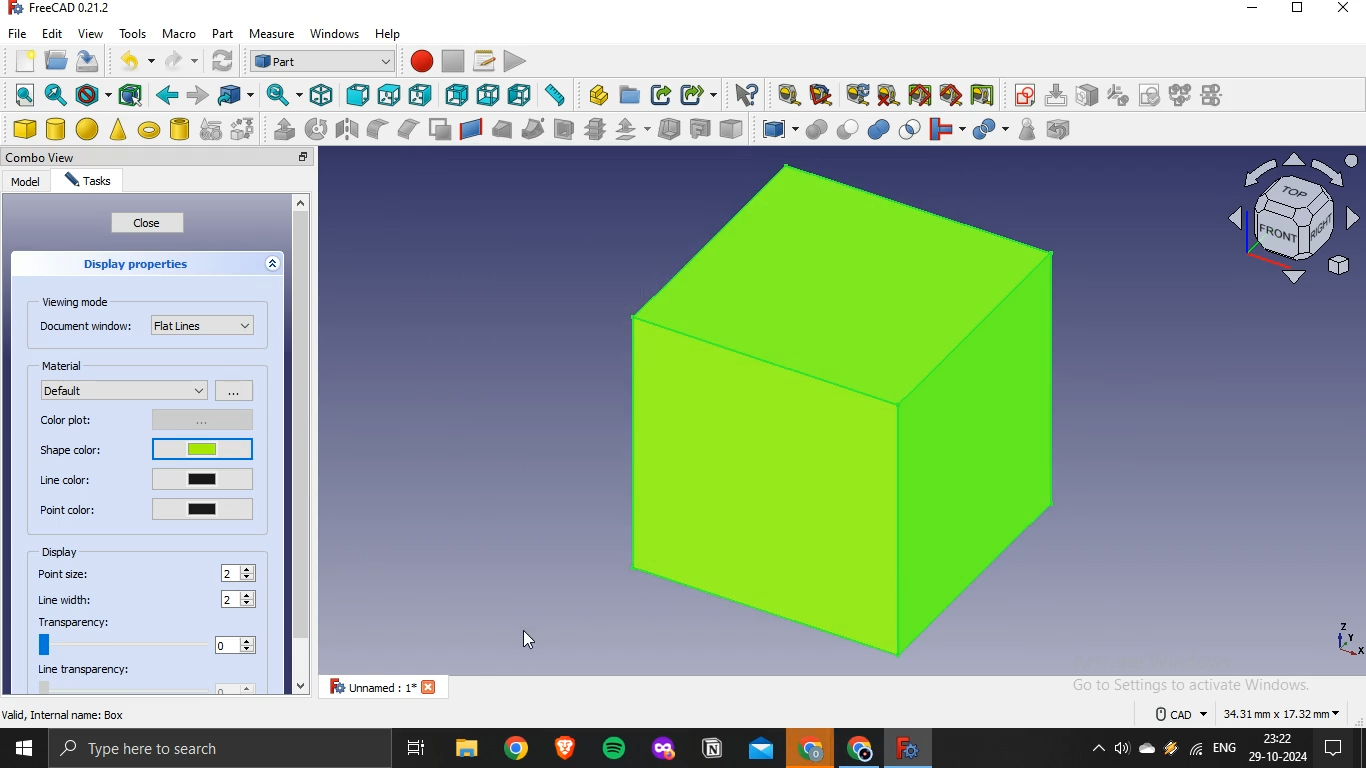 The width and height of the screenshot is (1366, 768). Describe the element at coordinates (52, 32) in the screenshot. I see `edit` at that location.